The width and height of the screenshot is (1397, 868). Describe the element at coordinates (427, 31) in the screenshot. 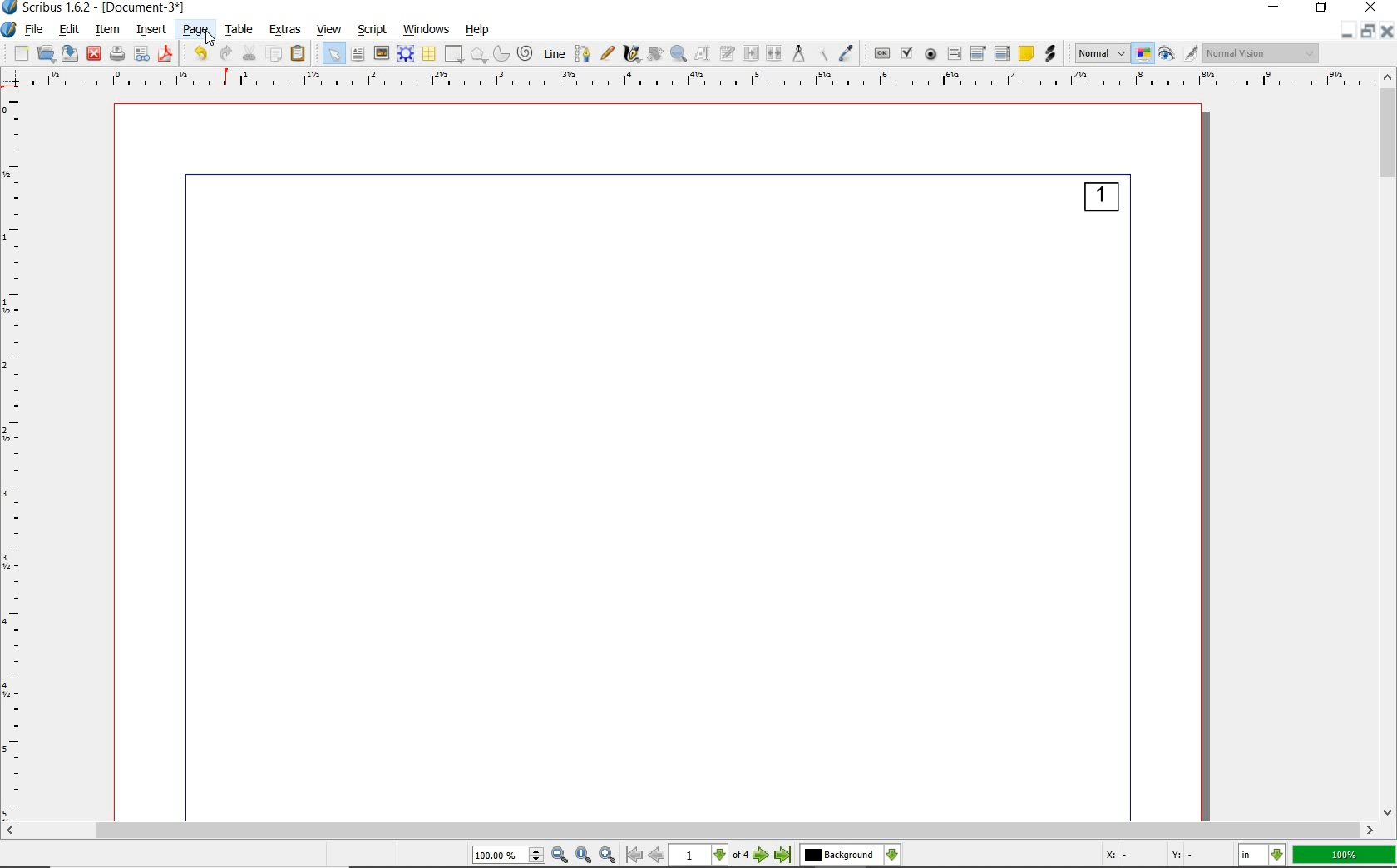

I see `windows` at that location.